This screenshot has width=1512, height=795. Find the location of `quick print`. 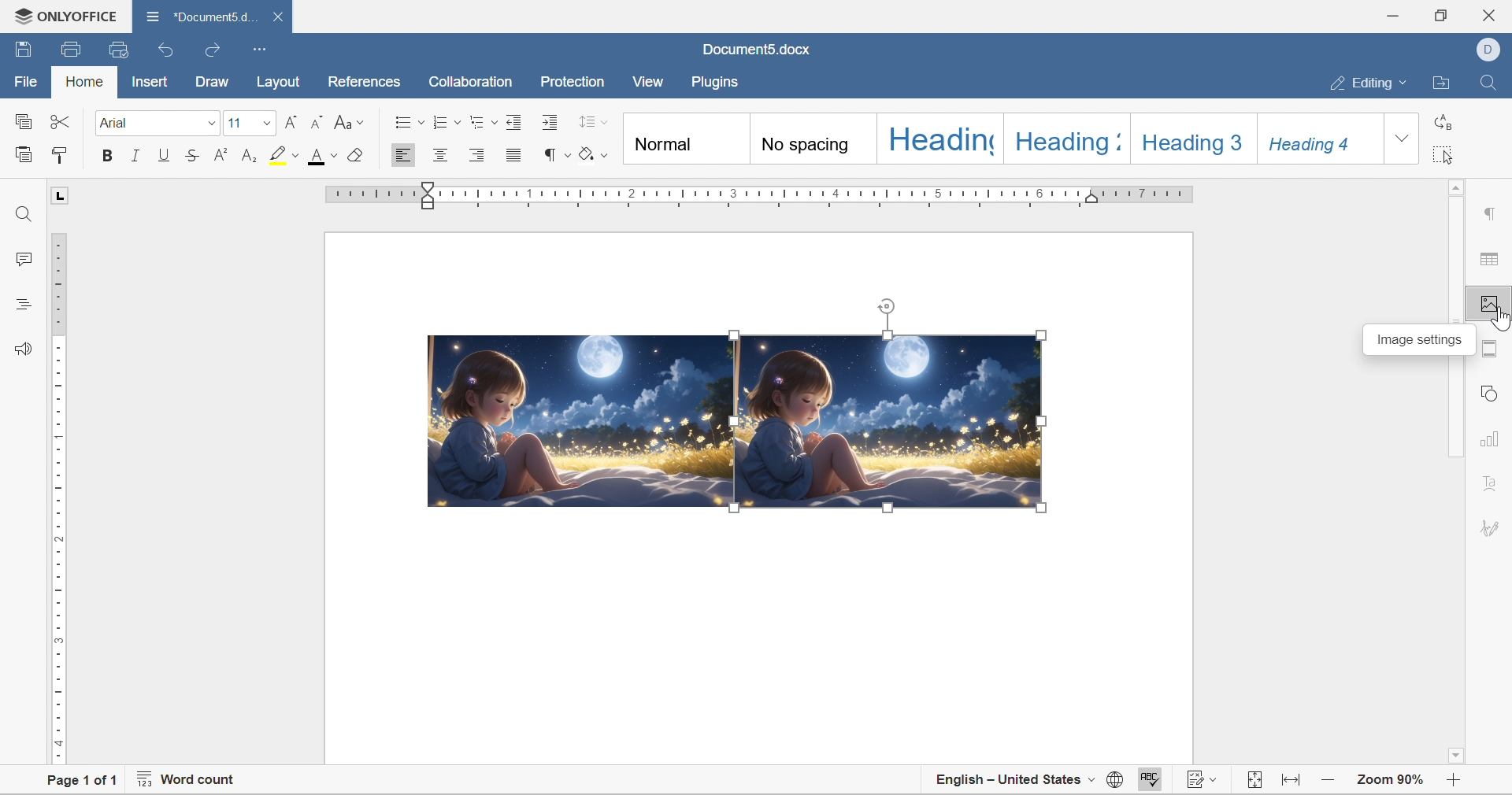

quick print is located at coordinates (122, 48).